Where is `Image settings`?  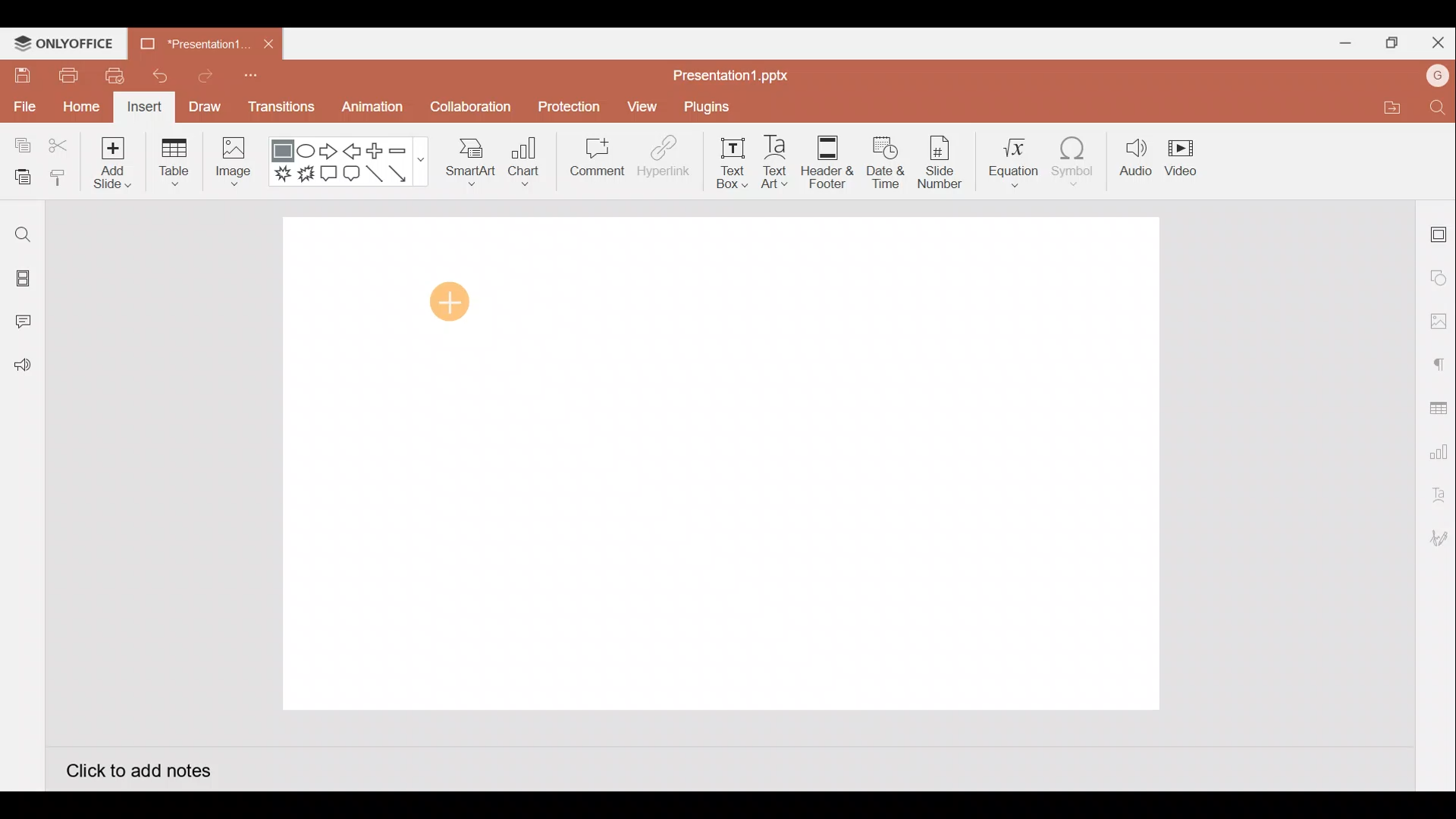
Image settings is located at coordinates (1439, 322).